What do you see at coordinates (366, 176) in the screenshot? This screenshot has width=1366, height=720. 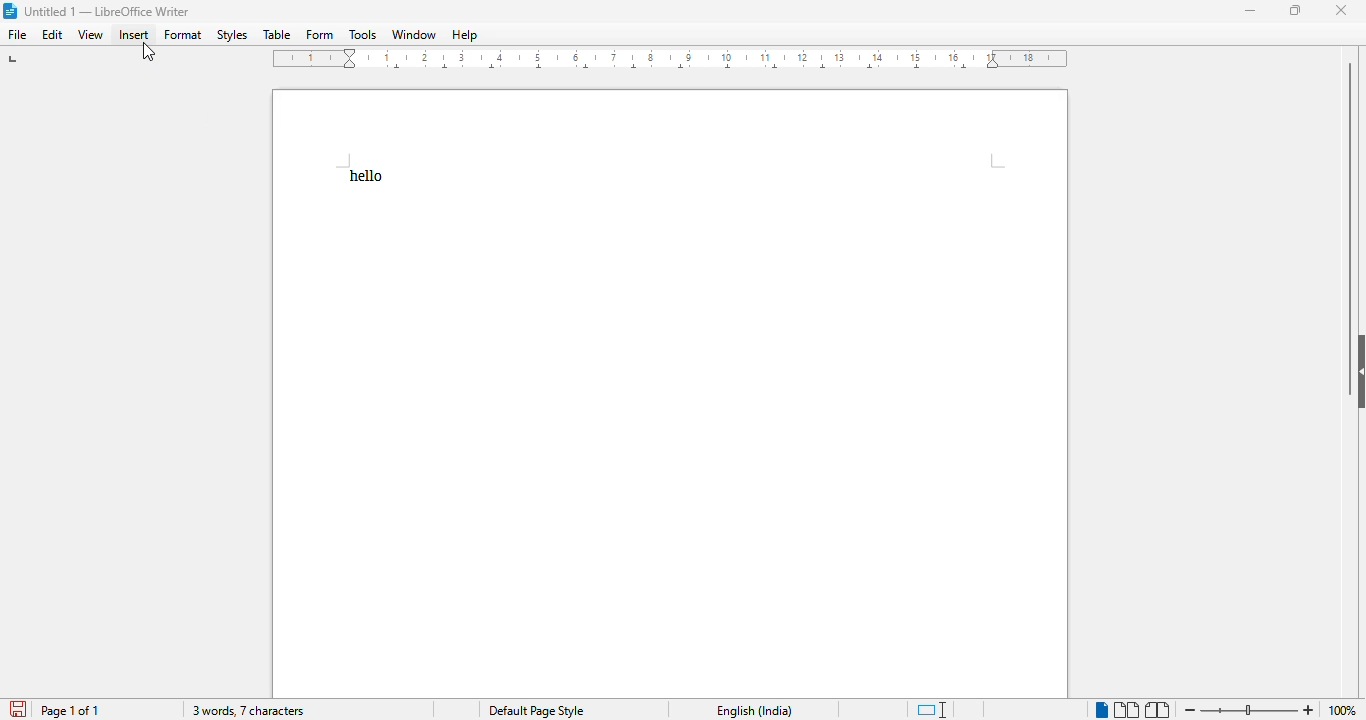 I see `text` at bounding box center [366, 176].